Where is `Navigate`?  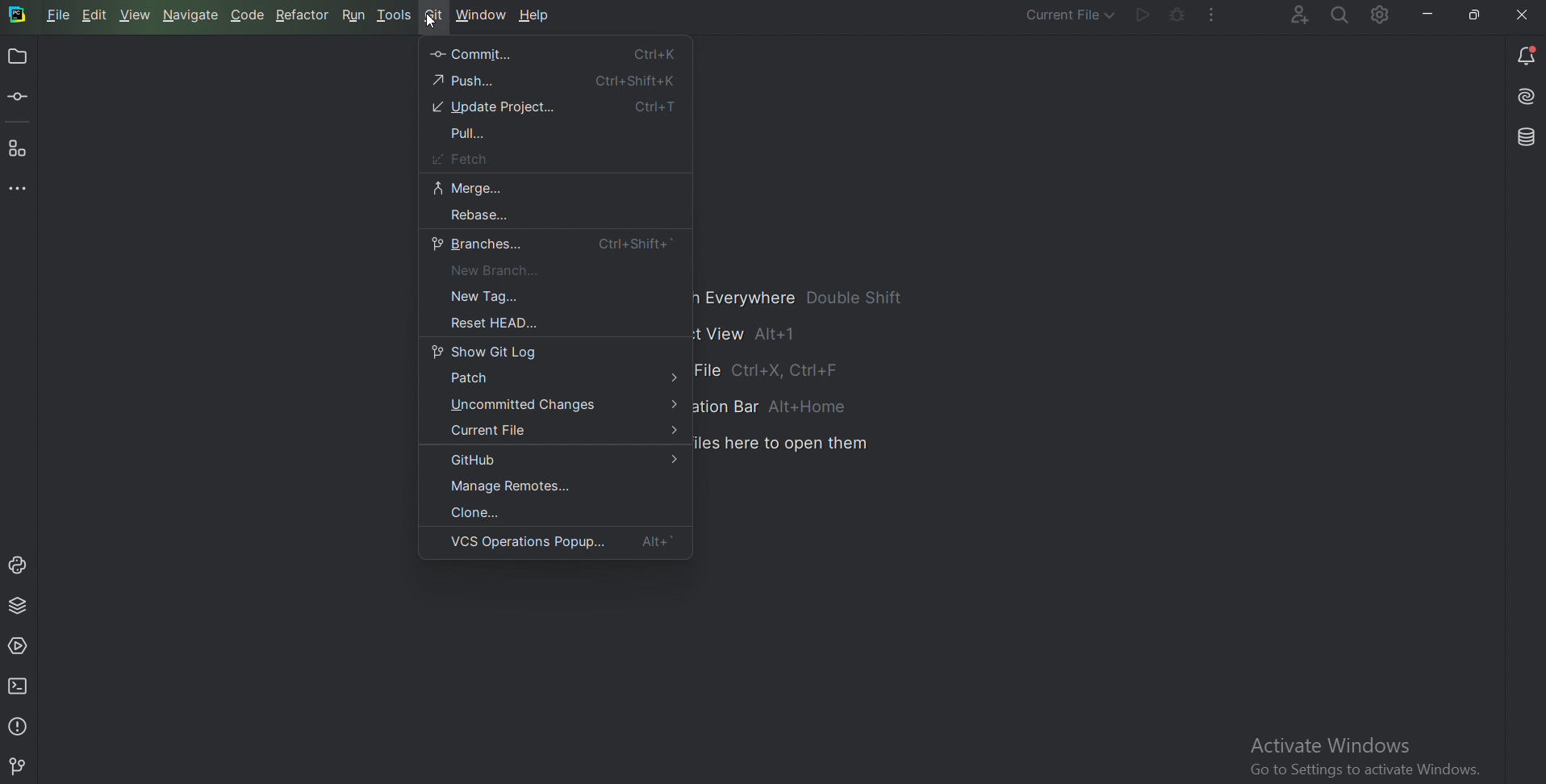 Navigate is located at coordinates (191, 15).